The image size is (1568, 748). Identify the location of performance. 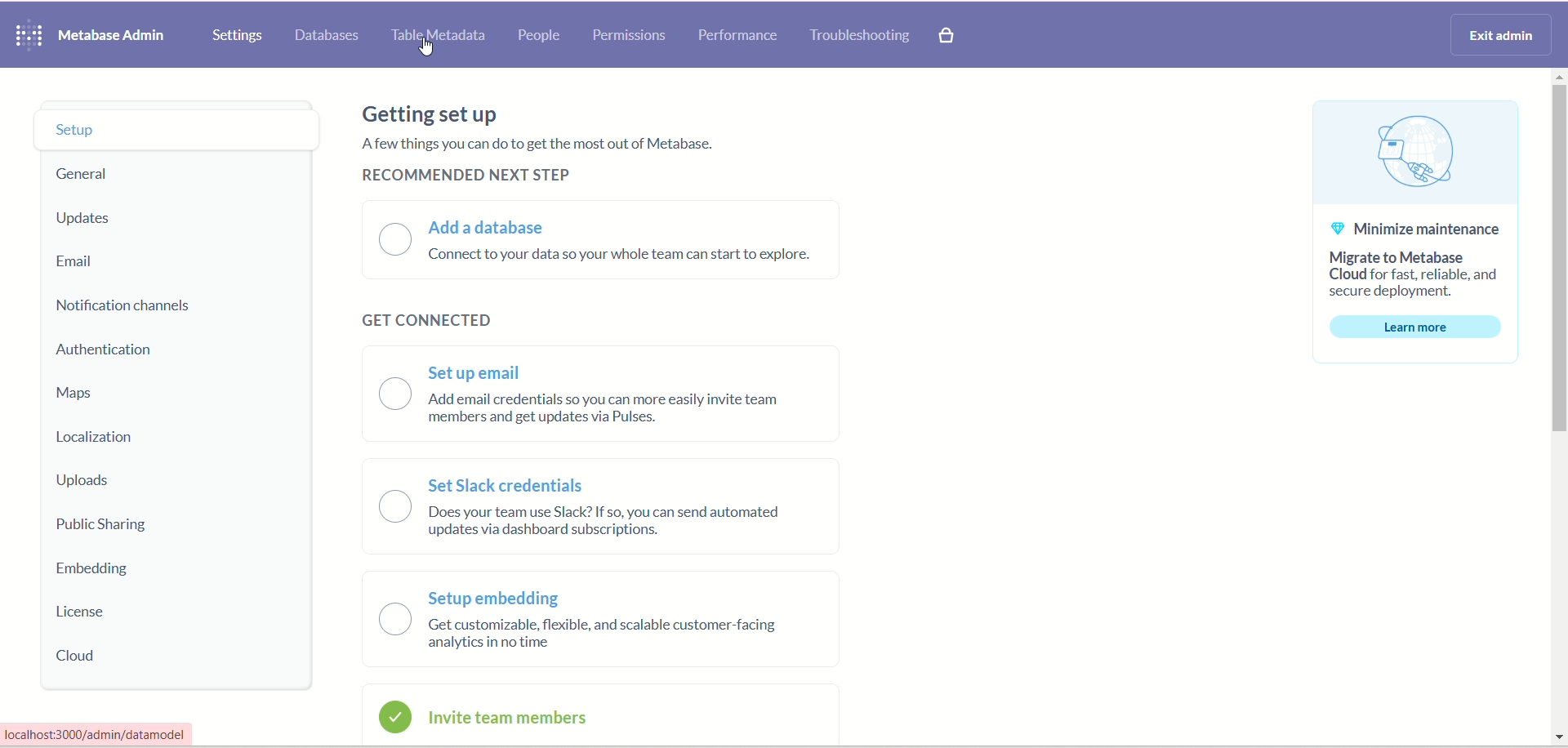
(737, 38).